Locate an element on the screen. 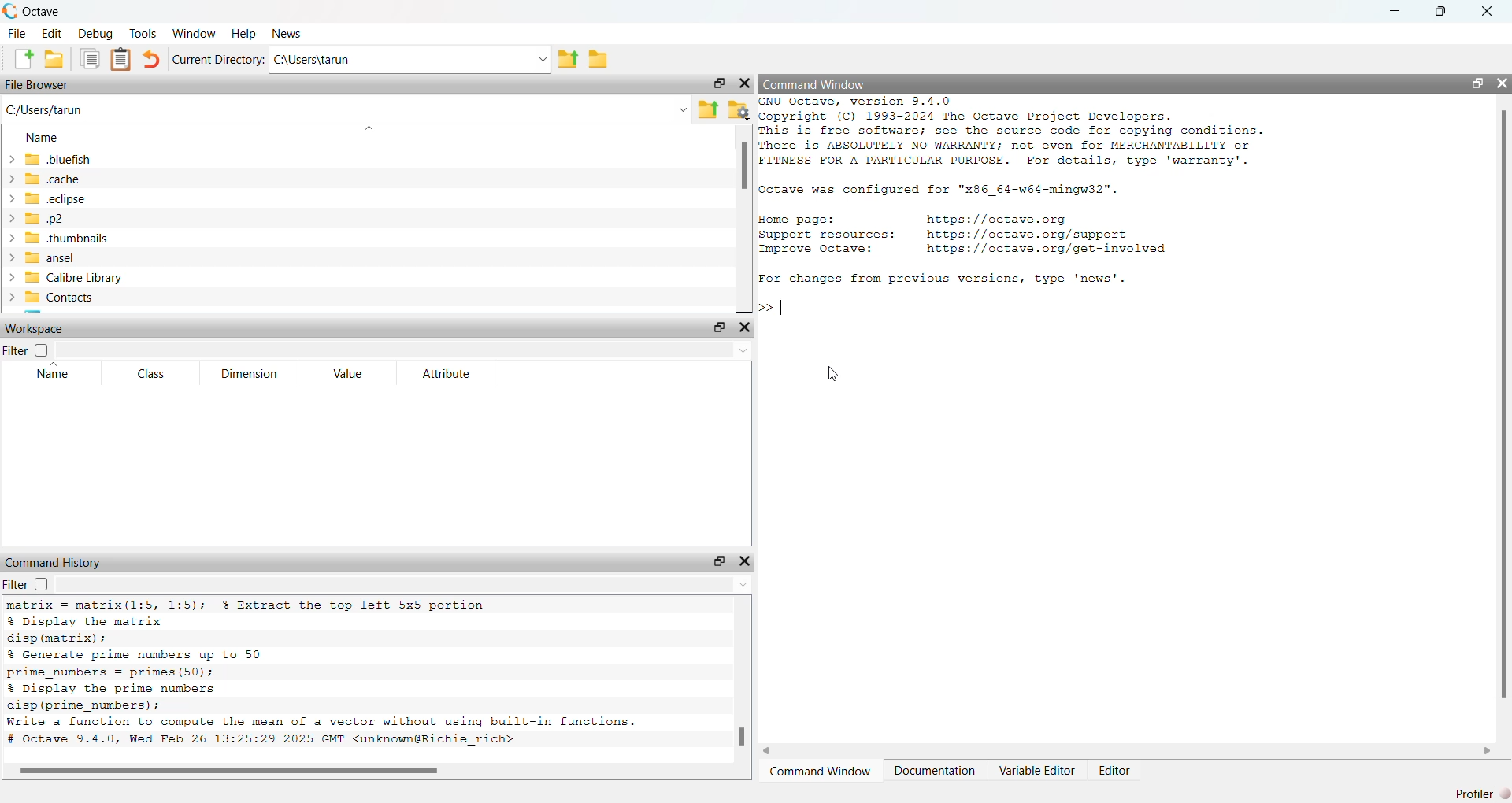  edit is located at coordinates (52, 33).